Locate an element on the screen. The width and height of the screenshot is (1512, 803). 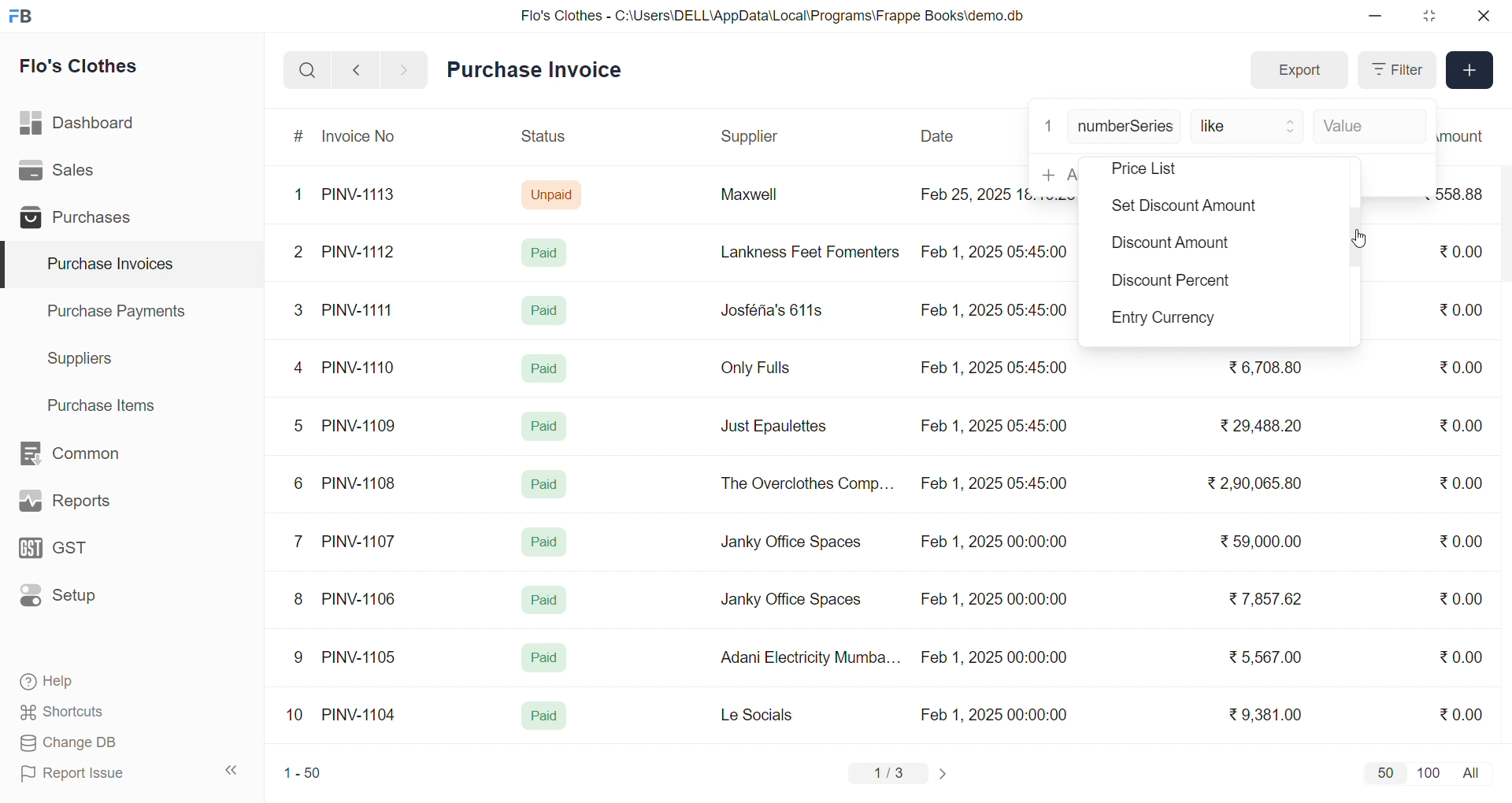
PINV-1106 is located at coordinates (365, 599).